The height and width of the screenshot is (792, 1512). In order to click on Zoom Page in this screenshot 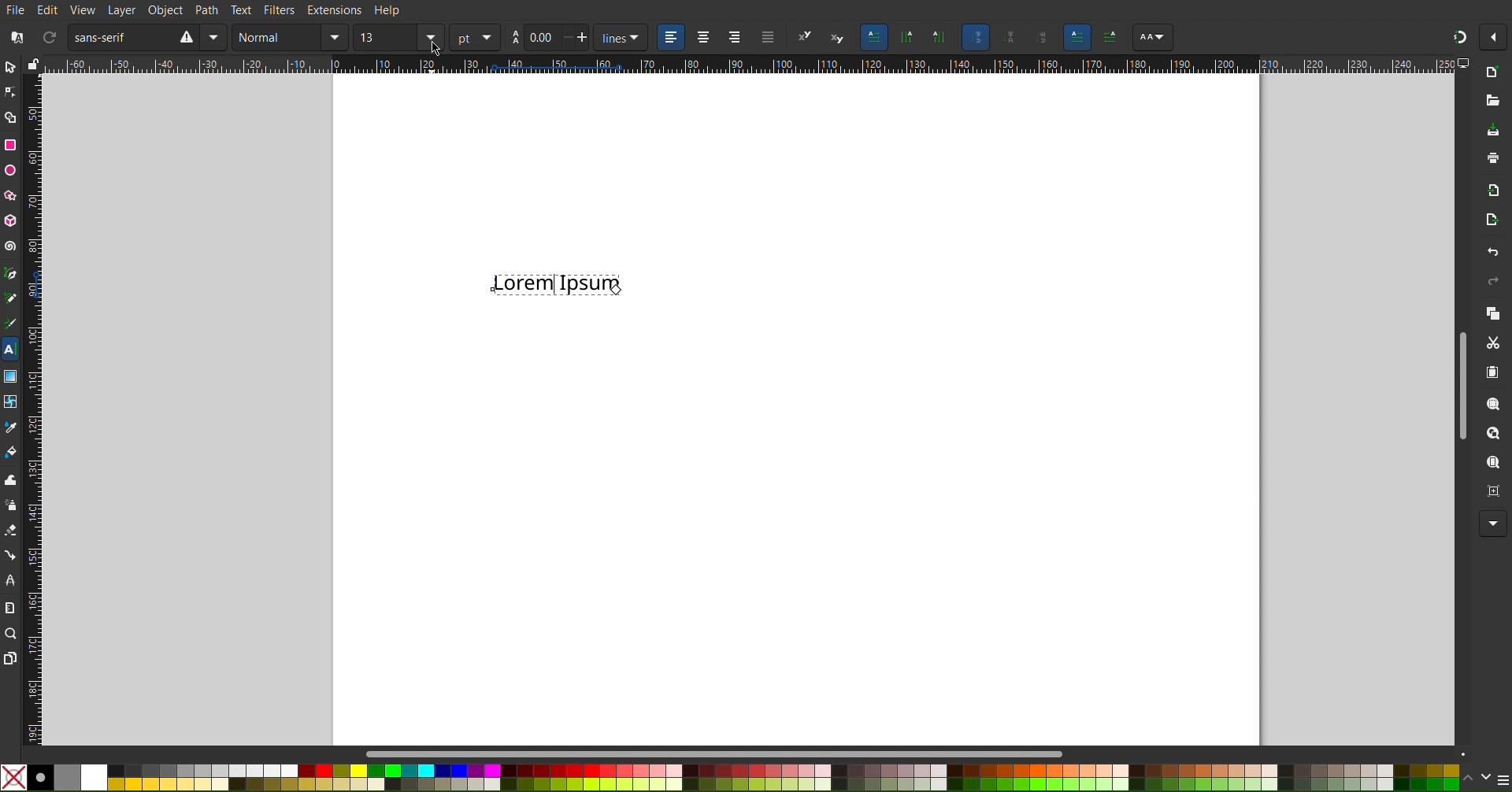, I will do `click(1492, 462)`.